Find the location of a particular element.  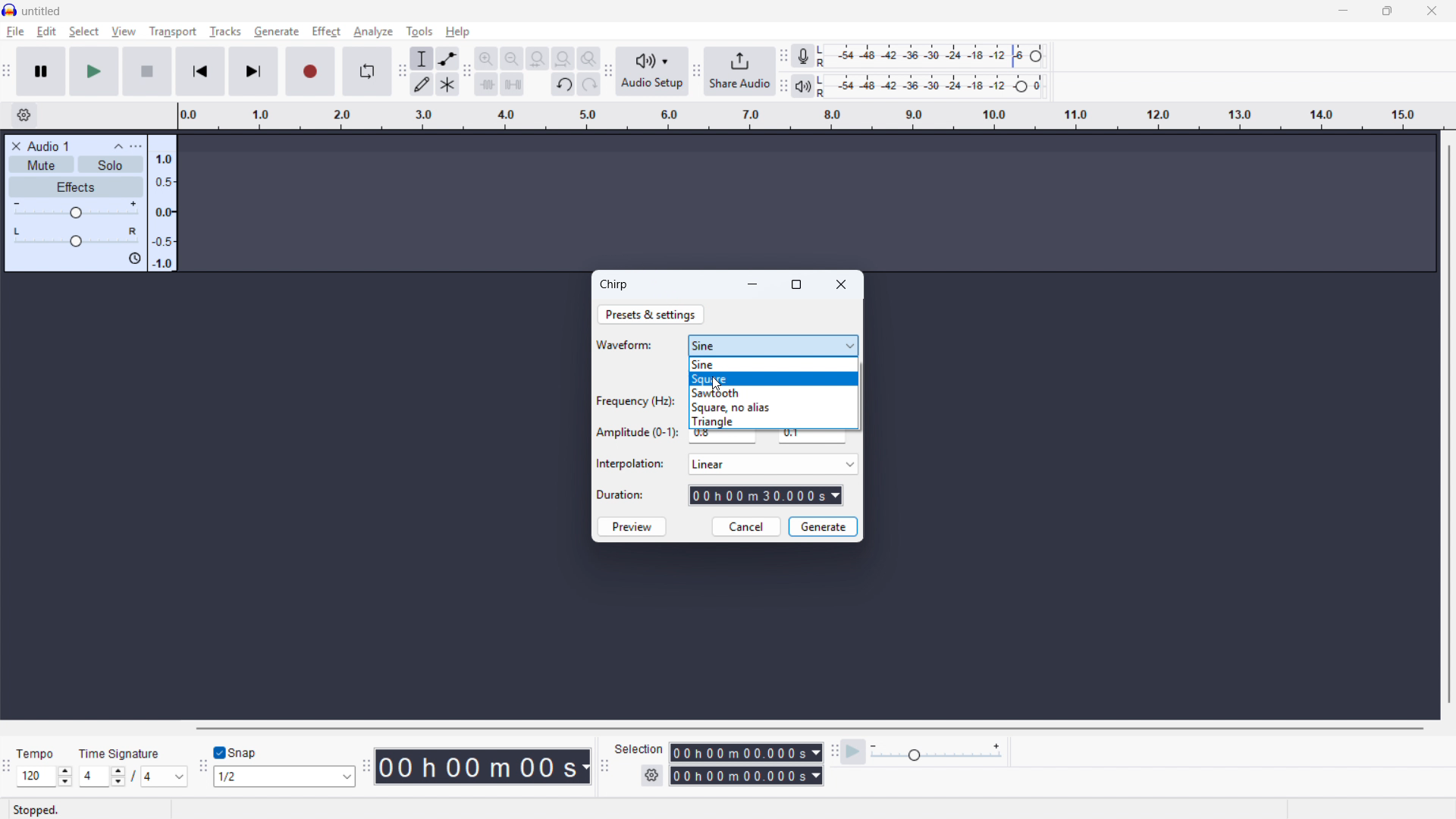

Waveform is located at coordinates (622, 344).